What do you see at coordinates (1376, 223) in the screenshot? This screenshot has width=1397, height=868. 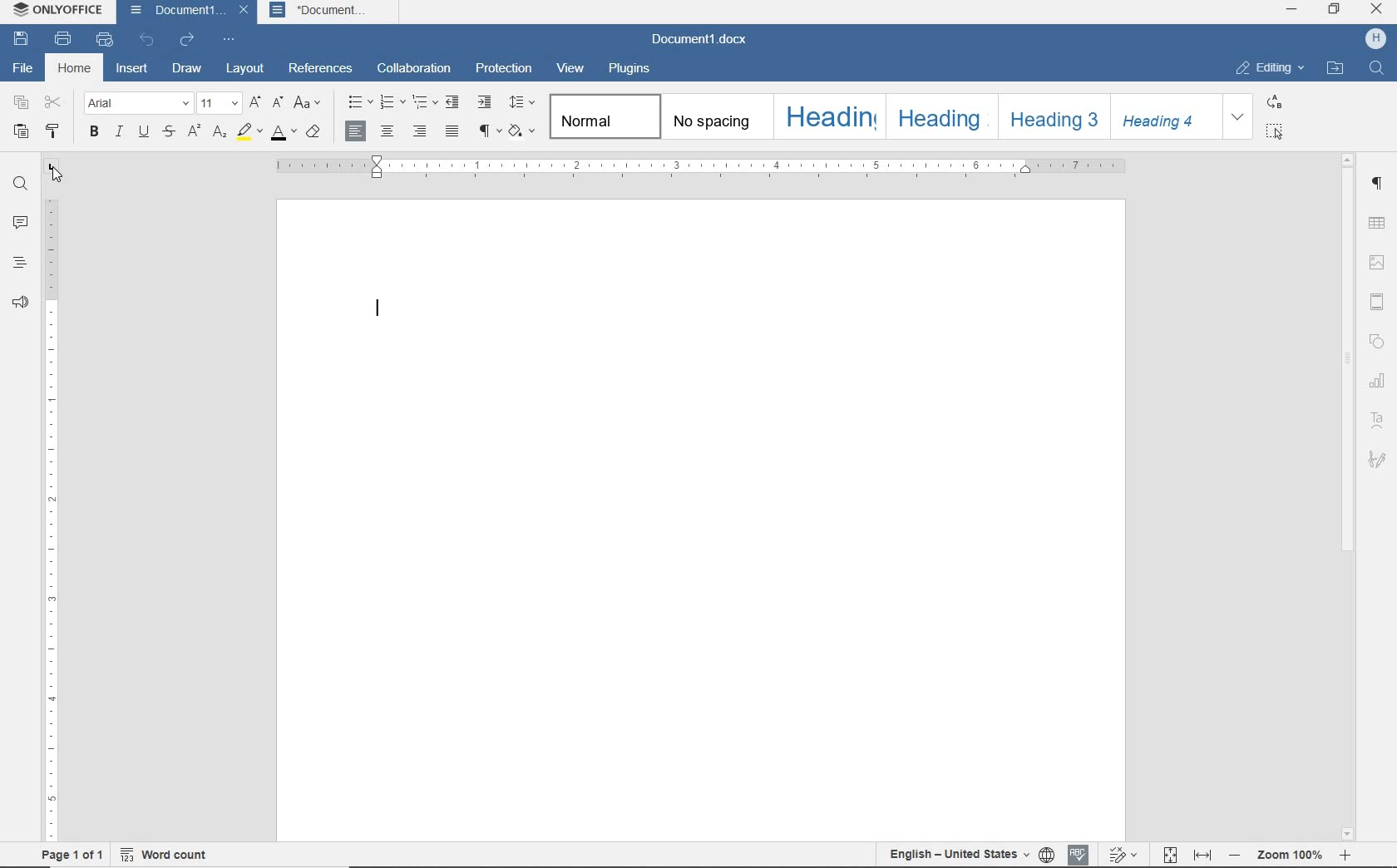 I see `TABLE` at bounding box center [1376, 223].